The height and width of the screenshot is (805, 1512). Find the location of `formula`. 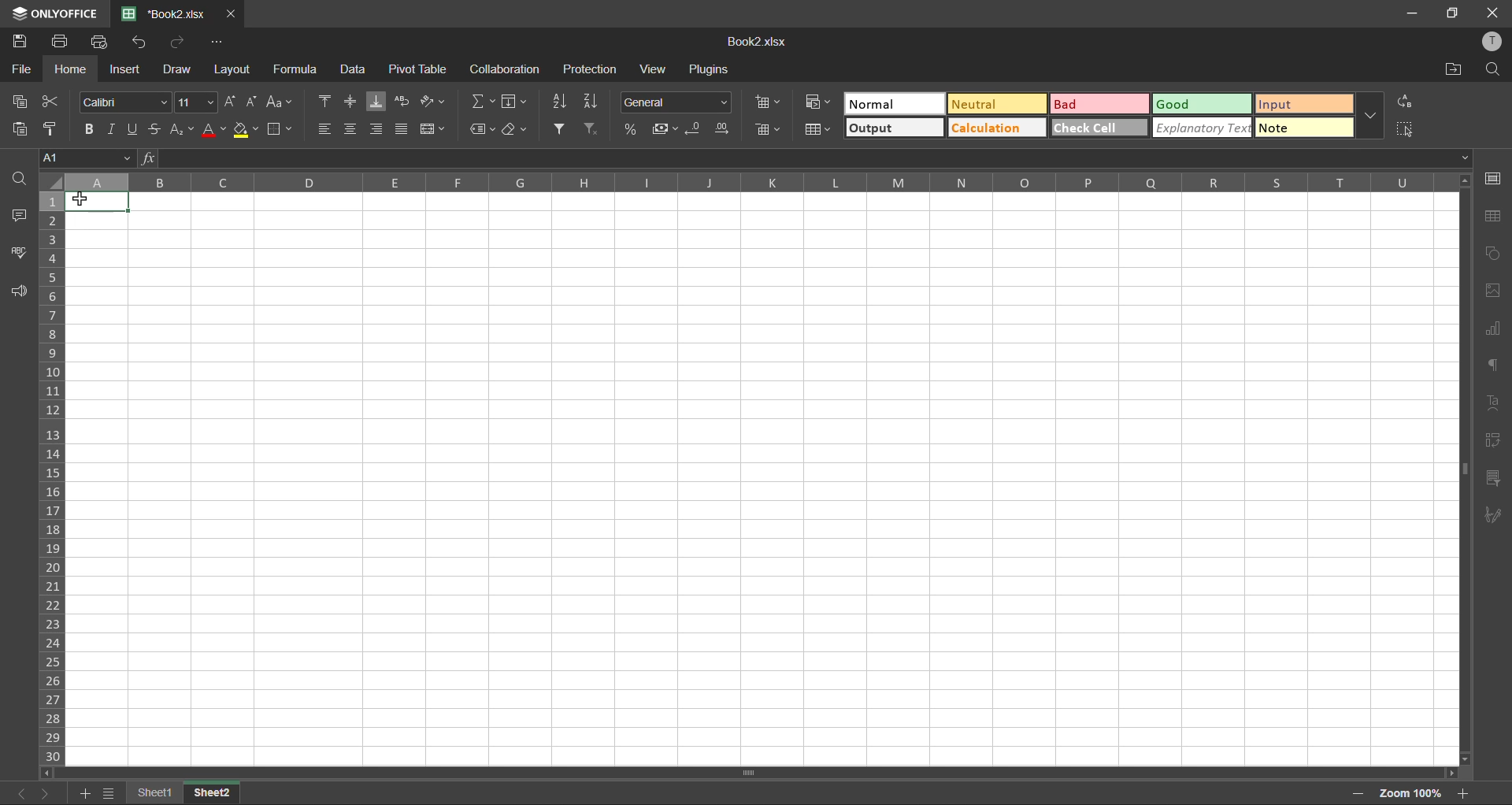

formula is located at coordinates (299, 69).